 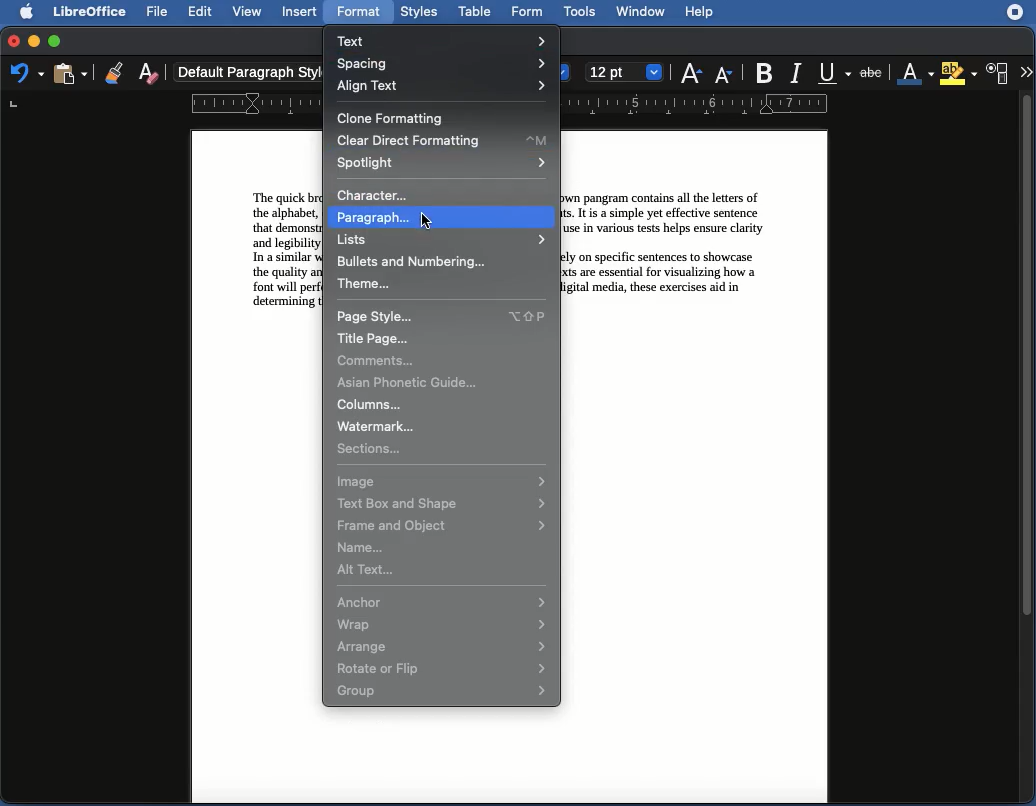 What do you see at coordinates (475, 12) in the screenshot?
I see `Table` at bounding box center [475, 12].